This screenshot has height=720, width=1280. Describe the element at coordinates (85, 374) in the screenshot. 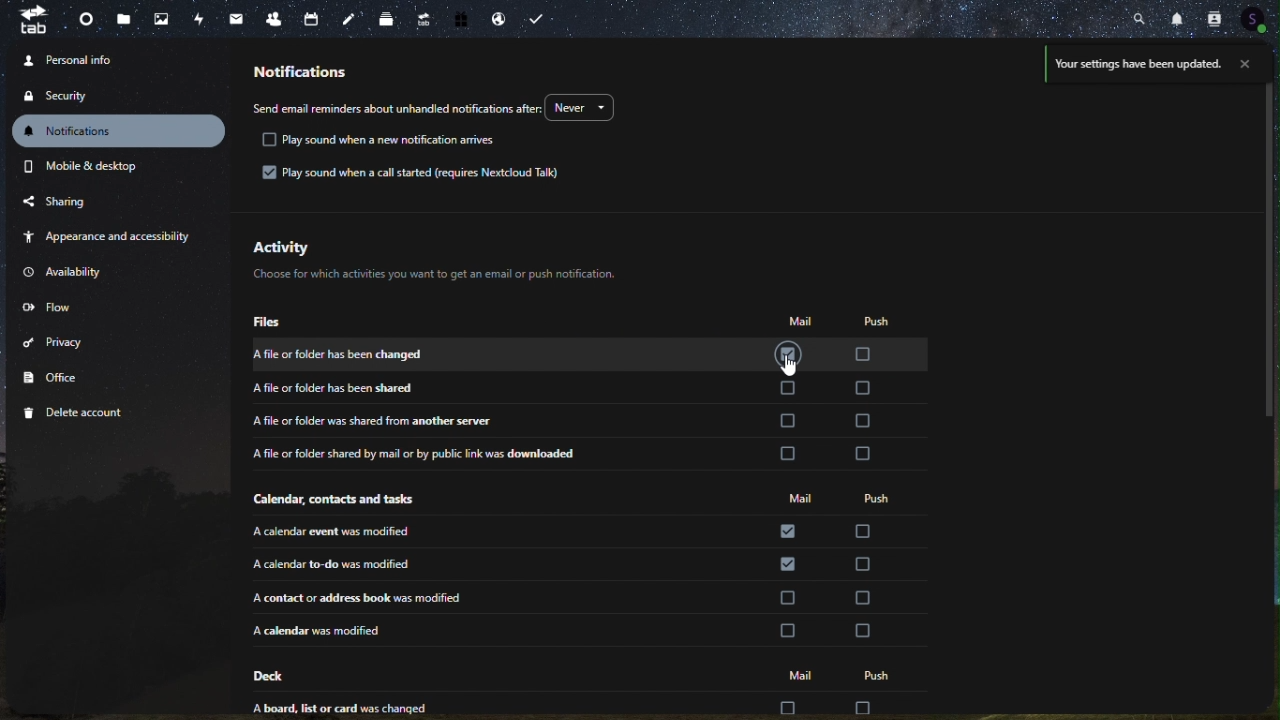

I see `office` at that location.